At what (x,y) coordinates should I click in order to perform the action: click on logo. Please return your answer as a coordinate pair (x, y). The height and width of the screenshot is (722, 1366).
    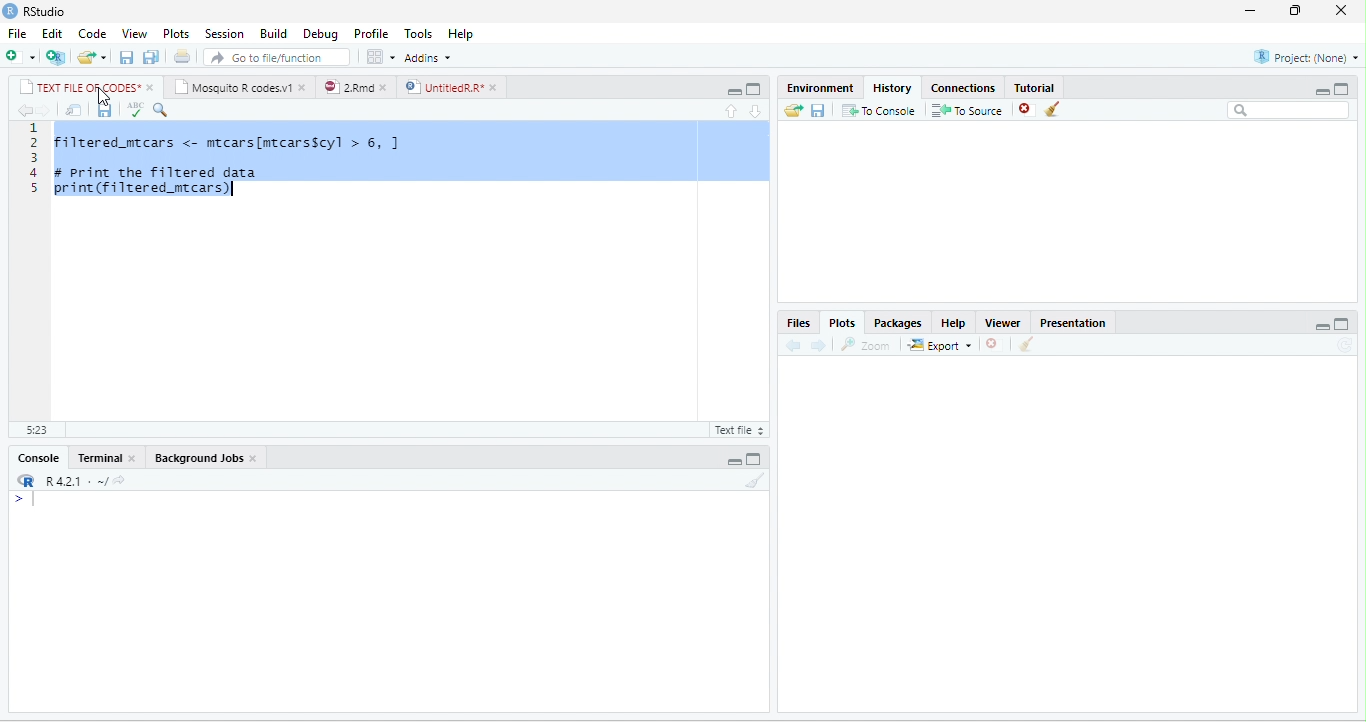
    Looking at the image, I should click on (10, 11).